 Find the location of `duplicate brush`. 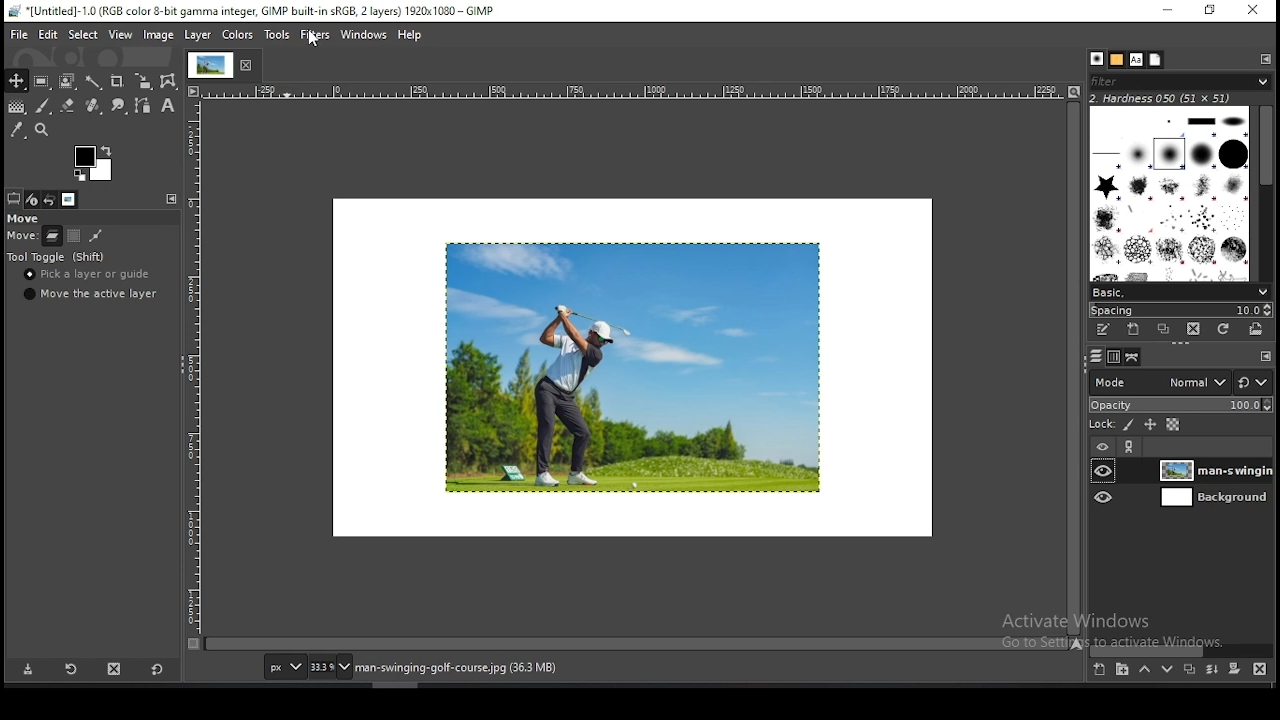

duplicate brush is located at coordinates (1162, 330).